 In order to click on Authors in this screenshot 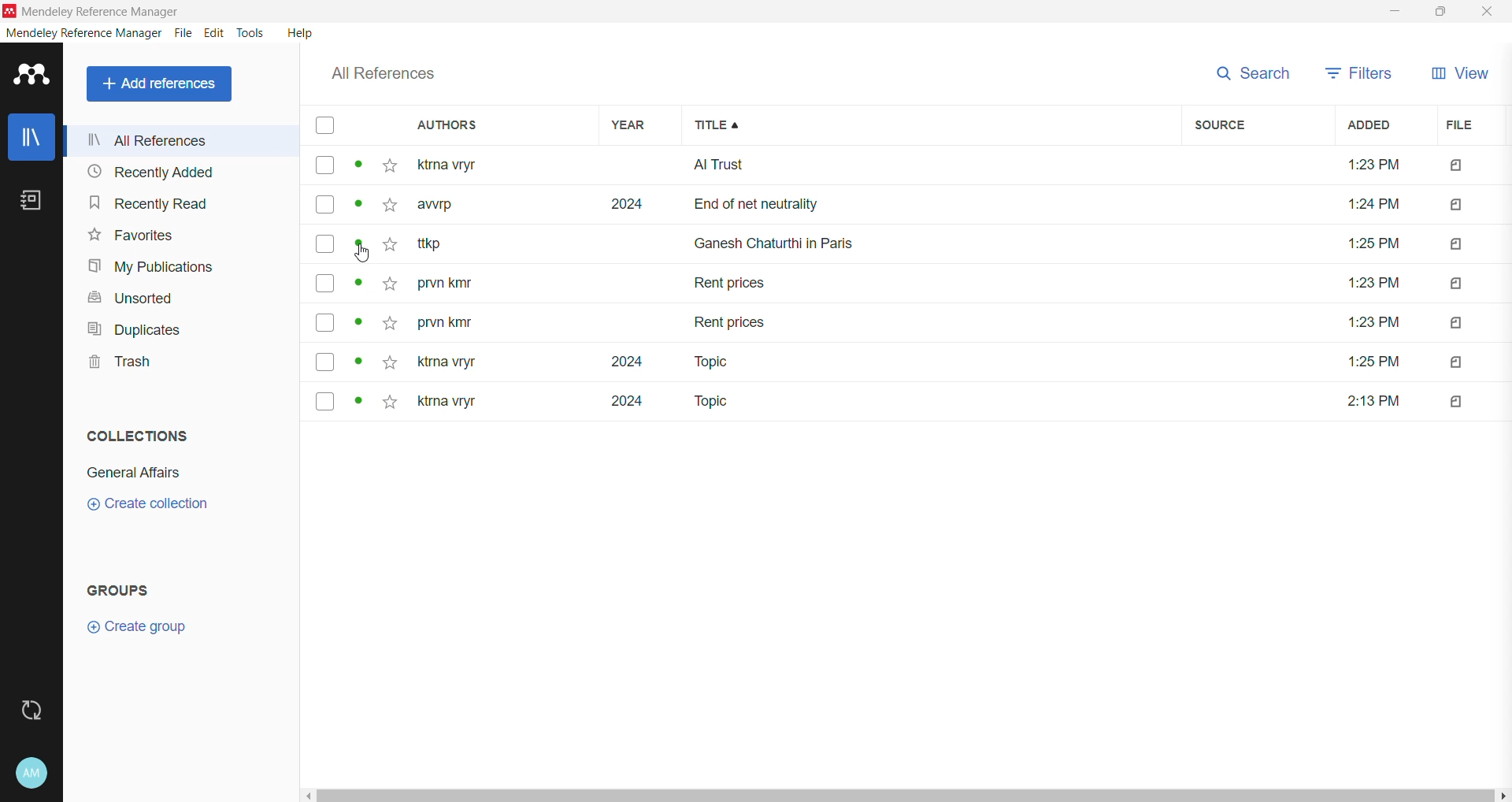, I will do `click(504, 126)`.